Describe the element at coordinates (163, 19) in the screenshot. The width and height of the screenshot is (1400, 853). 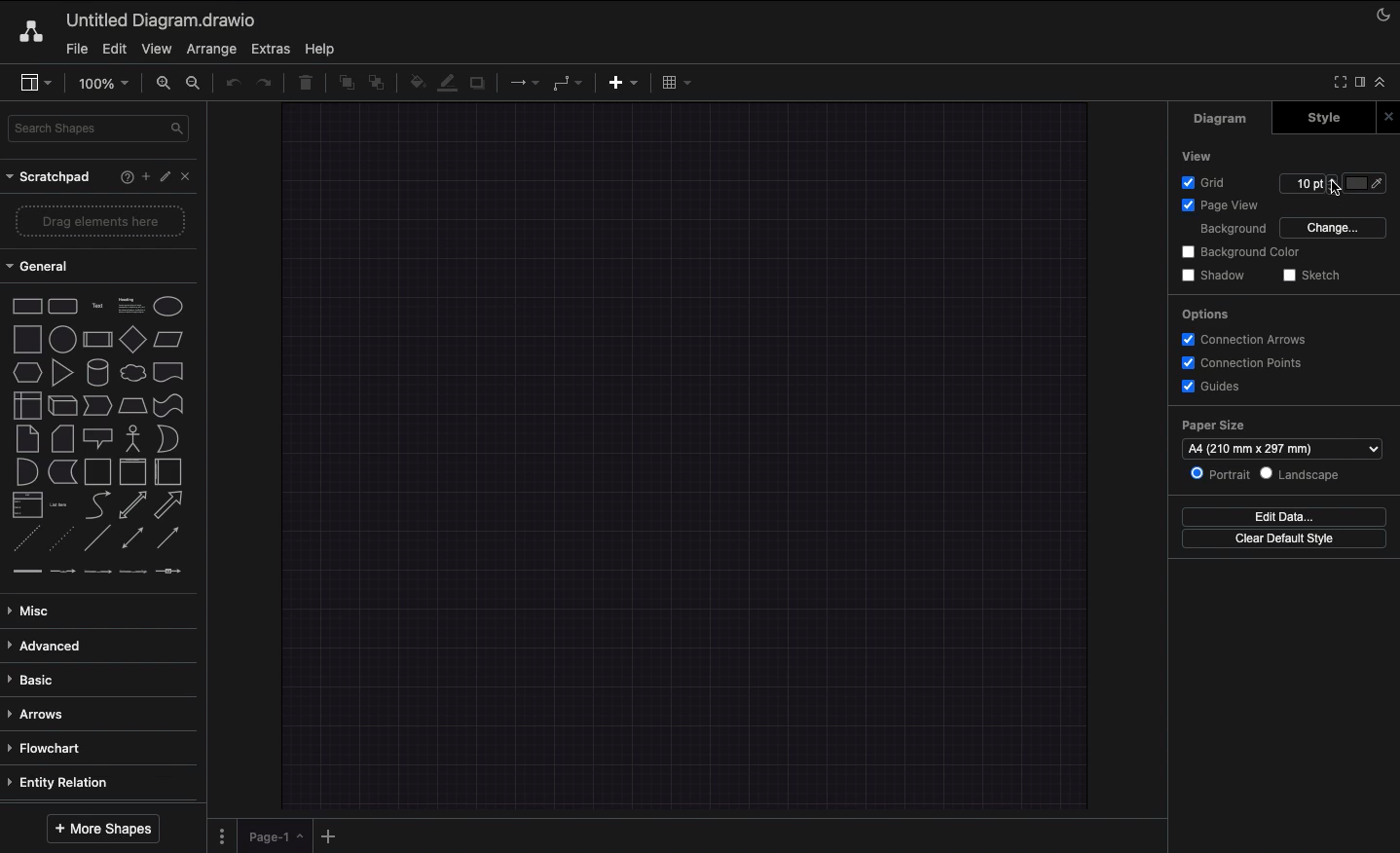
I see `Project name` at that location.